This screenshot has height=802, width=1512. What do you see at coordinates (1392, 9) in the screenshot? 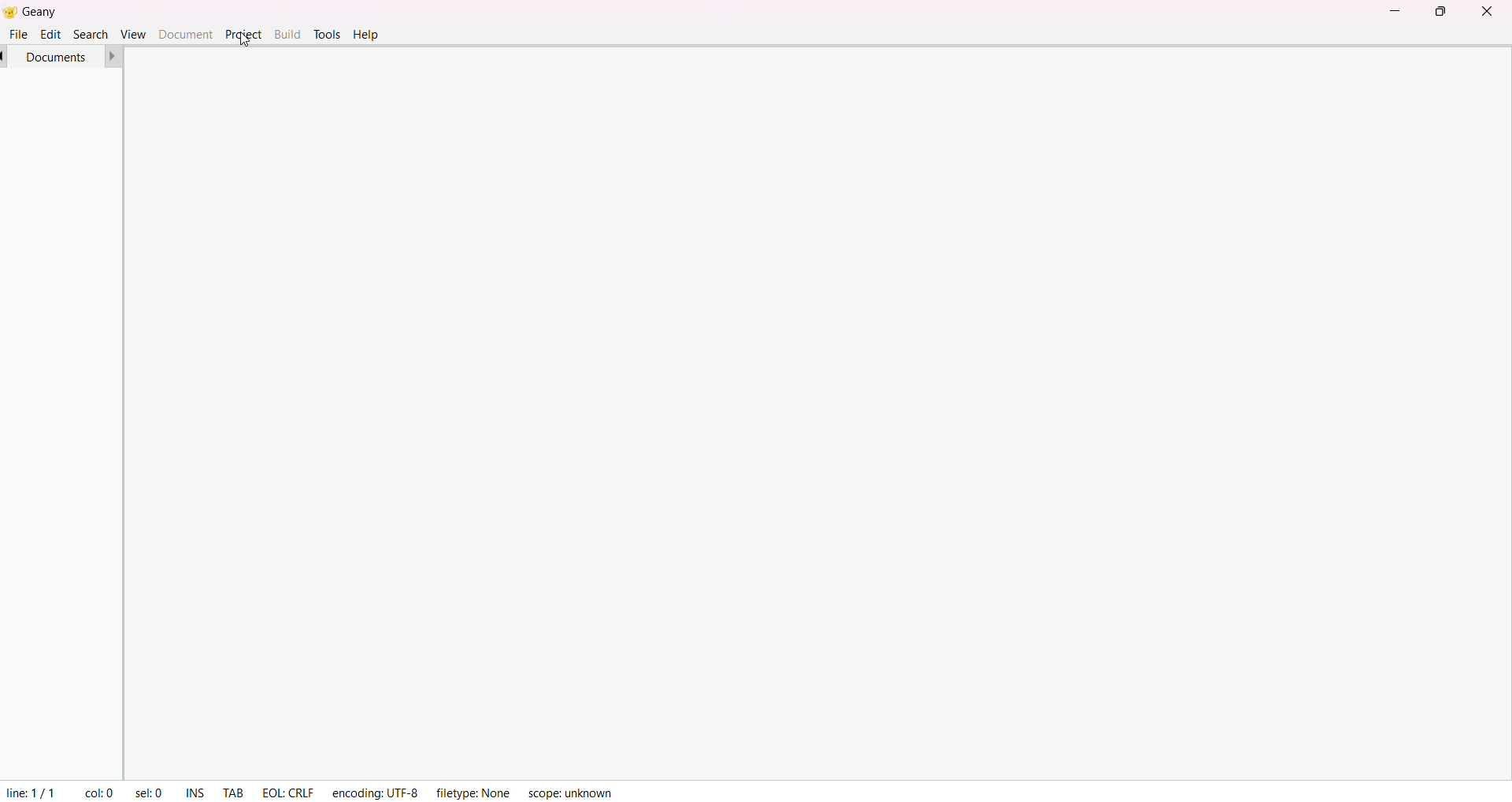
I see `minimize` at bounding box center [1392, 9].